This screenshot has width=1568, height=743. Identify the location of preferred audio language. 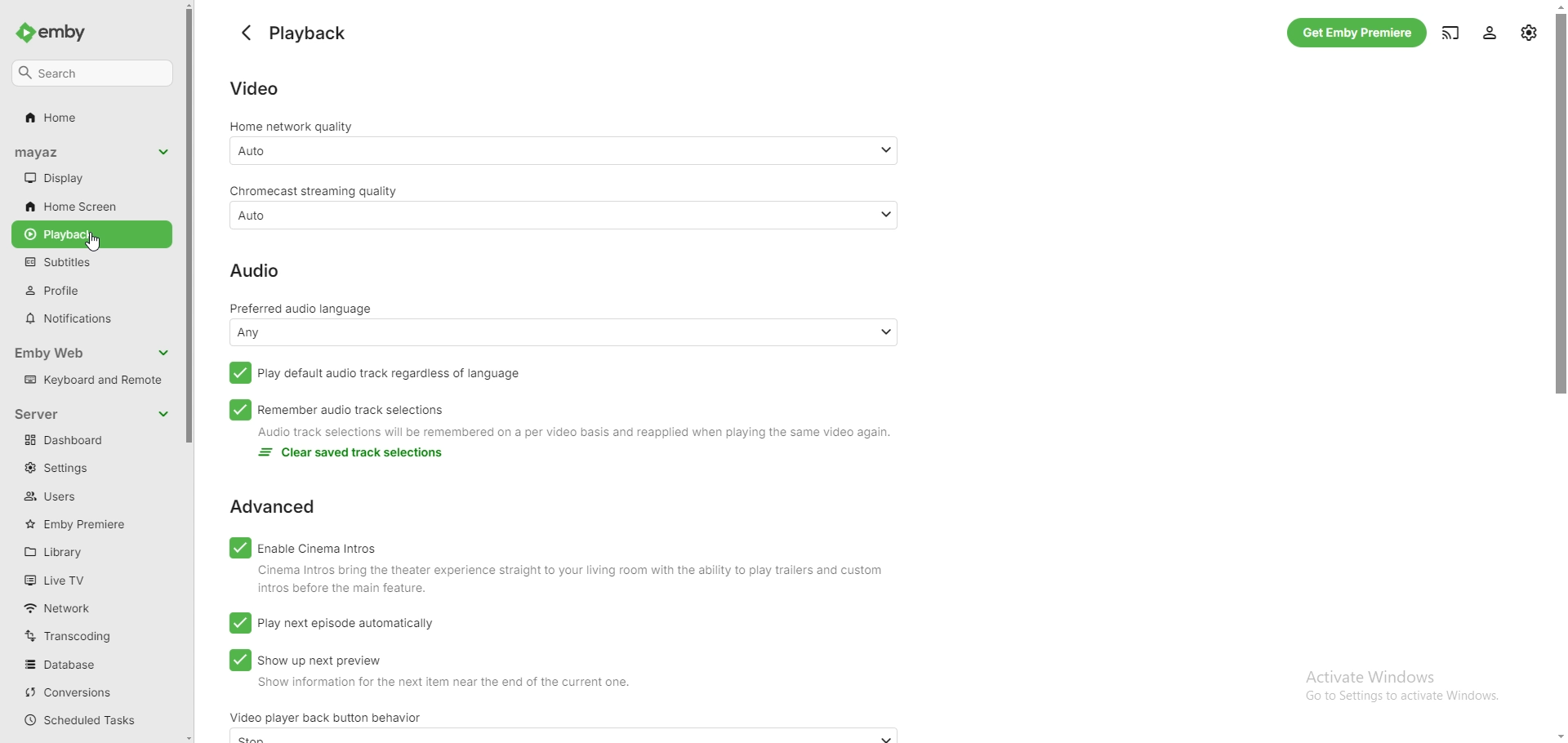
(305, 307).